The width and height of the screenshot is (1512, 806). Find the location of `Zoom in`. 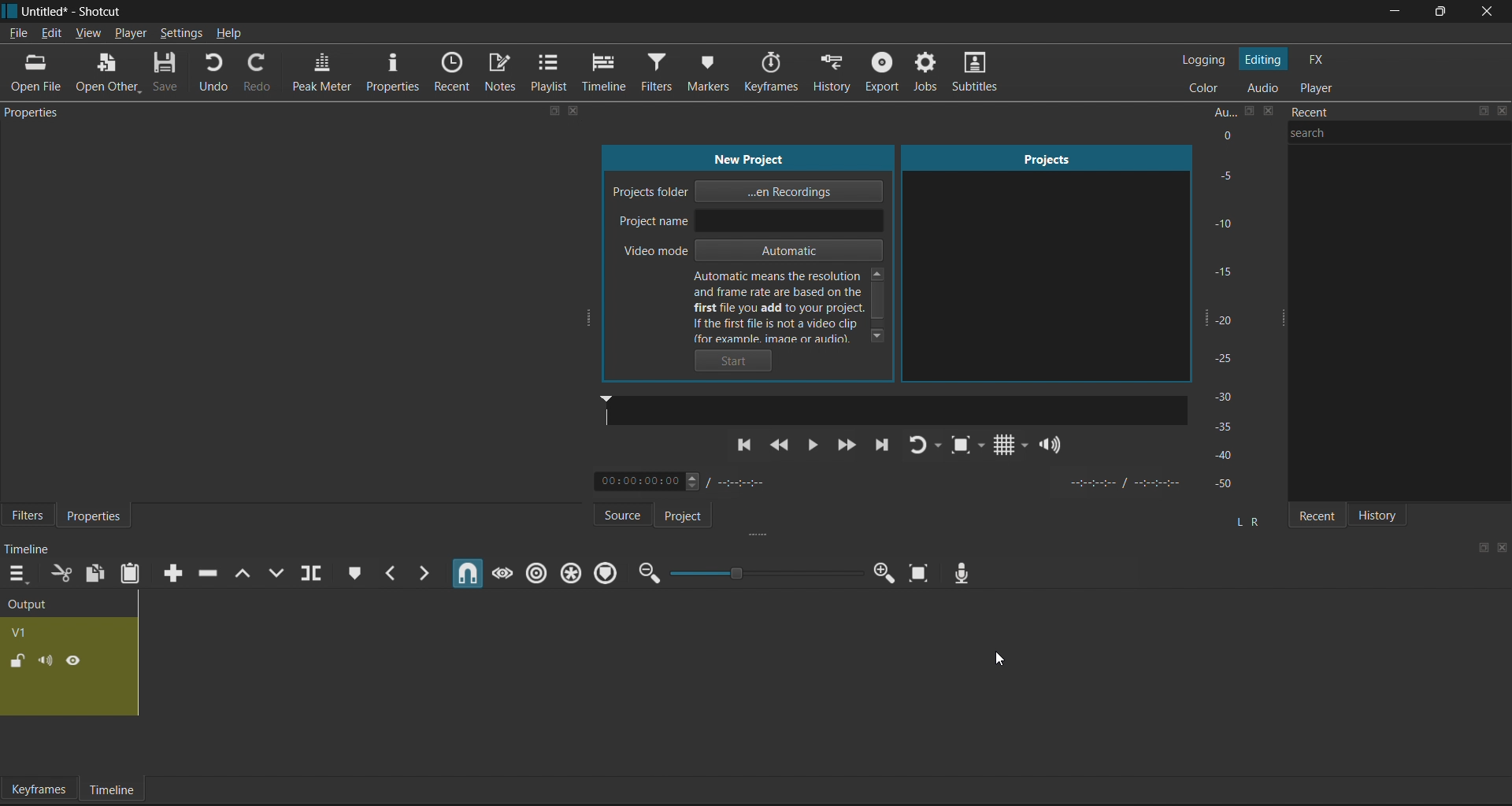

Zoom in is located at coordinates (882, 575).